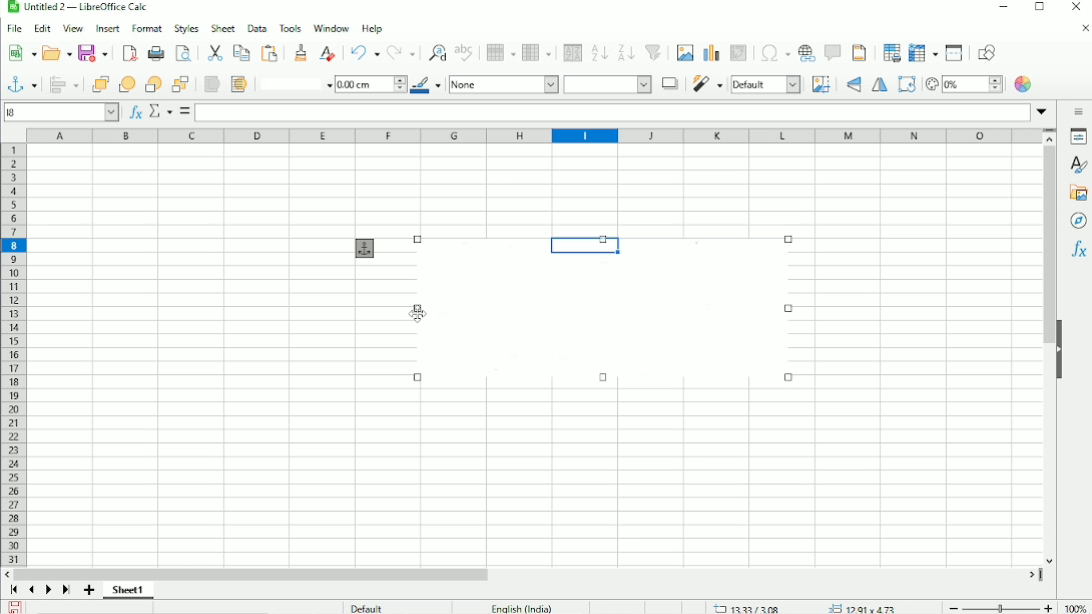 This screenshot has width=1092, height=614. Describe the element at coordinates (880, 86) in the screenshot. I see `Flip horizontally` at that location.